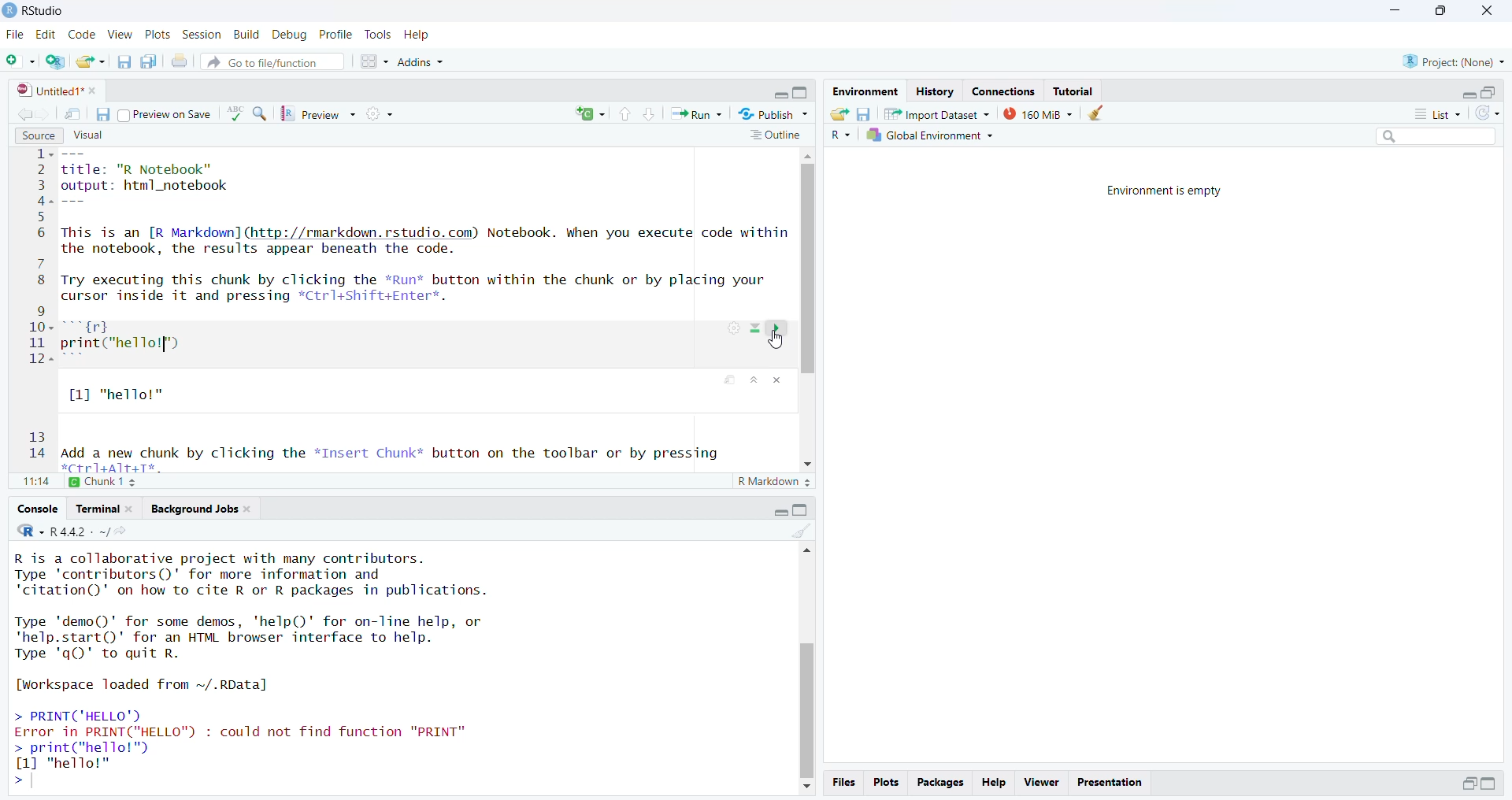 The width and height of the screenshot is (1512, 800). What do you see at coordinates (46, 113) in the screenshot?
I see `go forward` at bounding box center [46, 113].